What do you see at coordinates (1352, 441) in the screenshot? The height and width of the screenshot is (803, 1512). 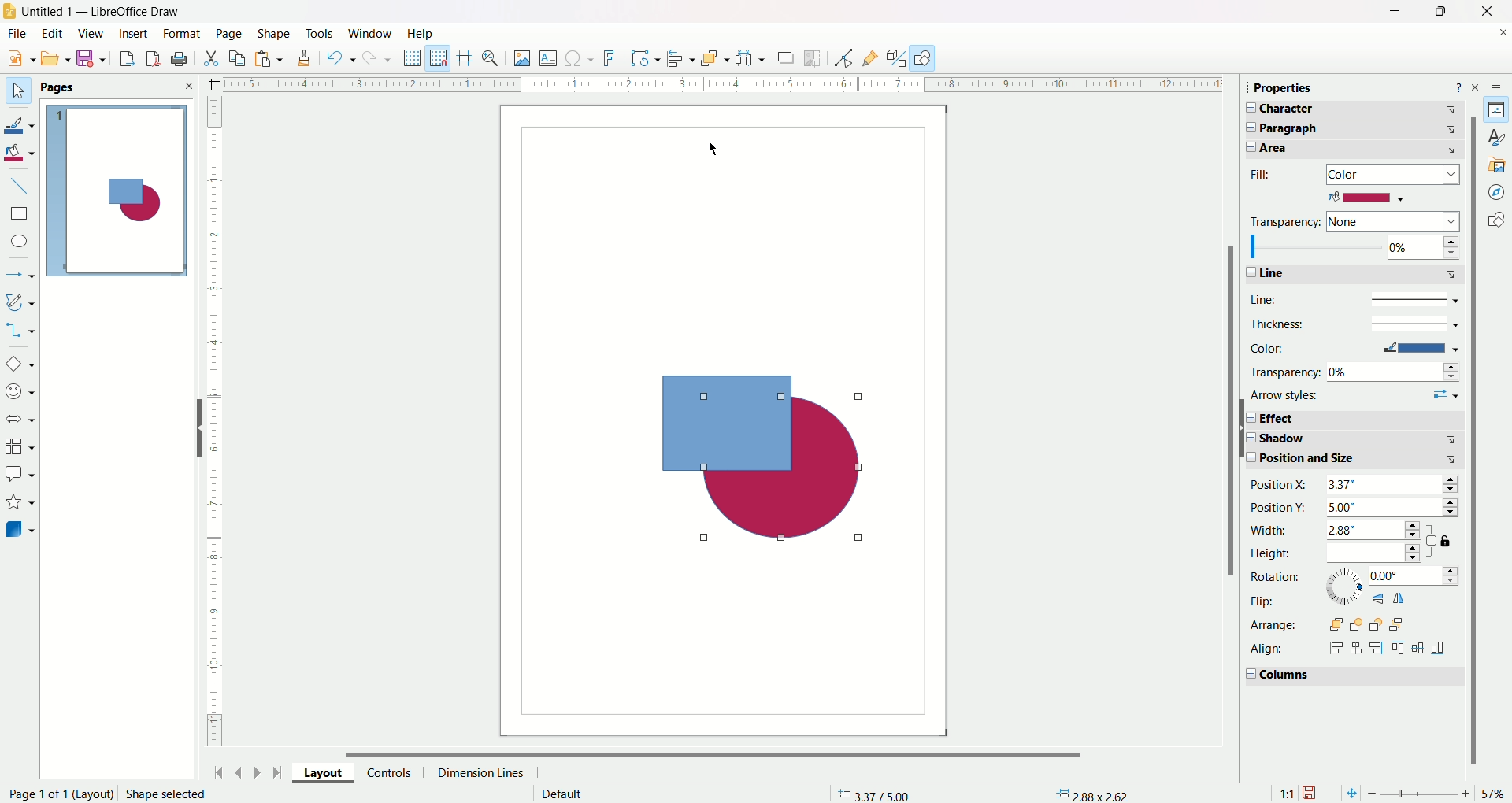 I see `shadow` at bounding box center [1352, 441].